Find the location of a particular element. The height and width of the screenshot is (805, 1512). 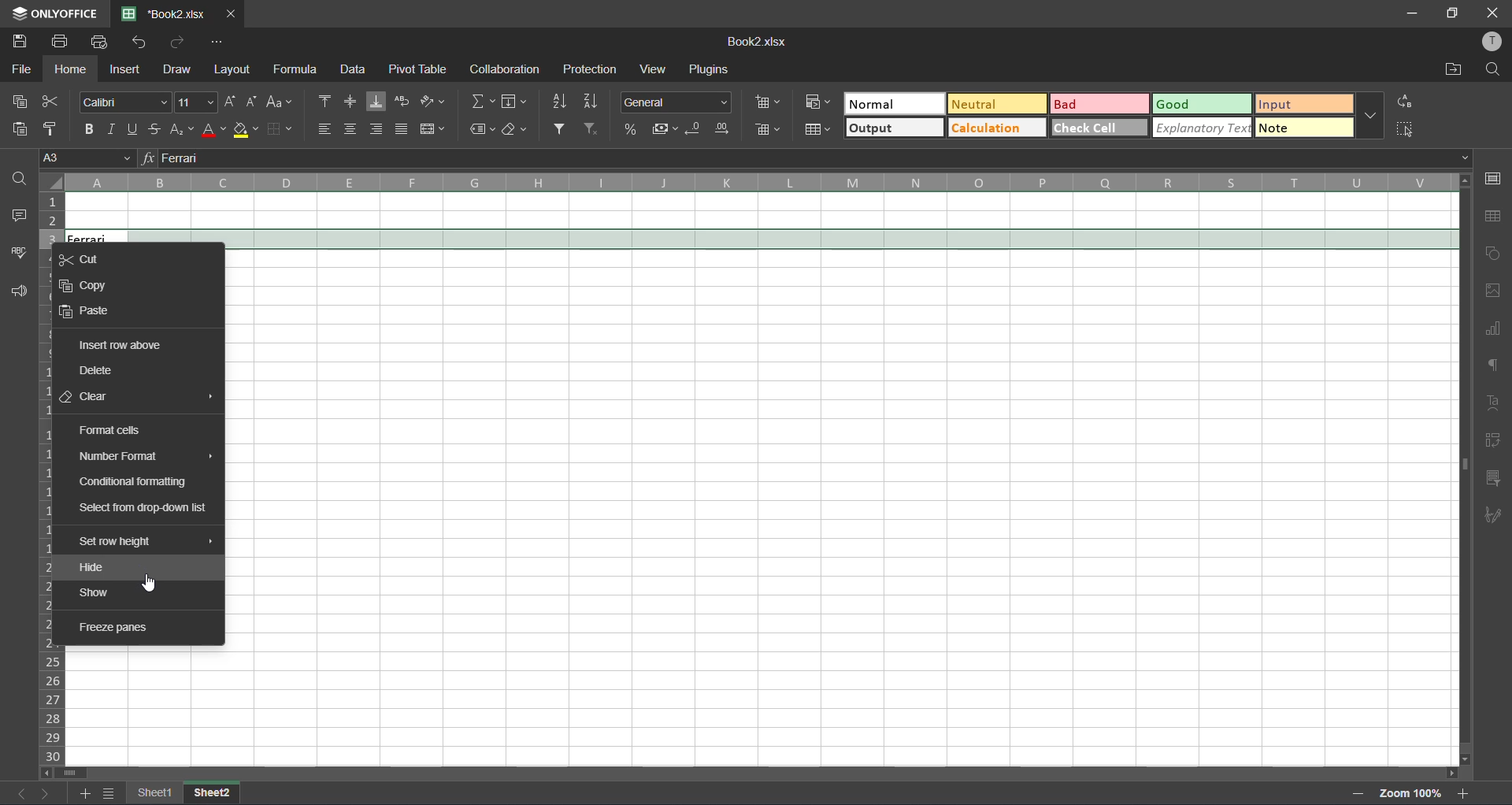

clear is located at coordinates (90, 397).